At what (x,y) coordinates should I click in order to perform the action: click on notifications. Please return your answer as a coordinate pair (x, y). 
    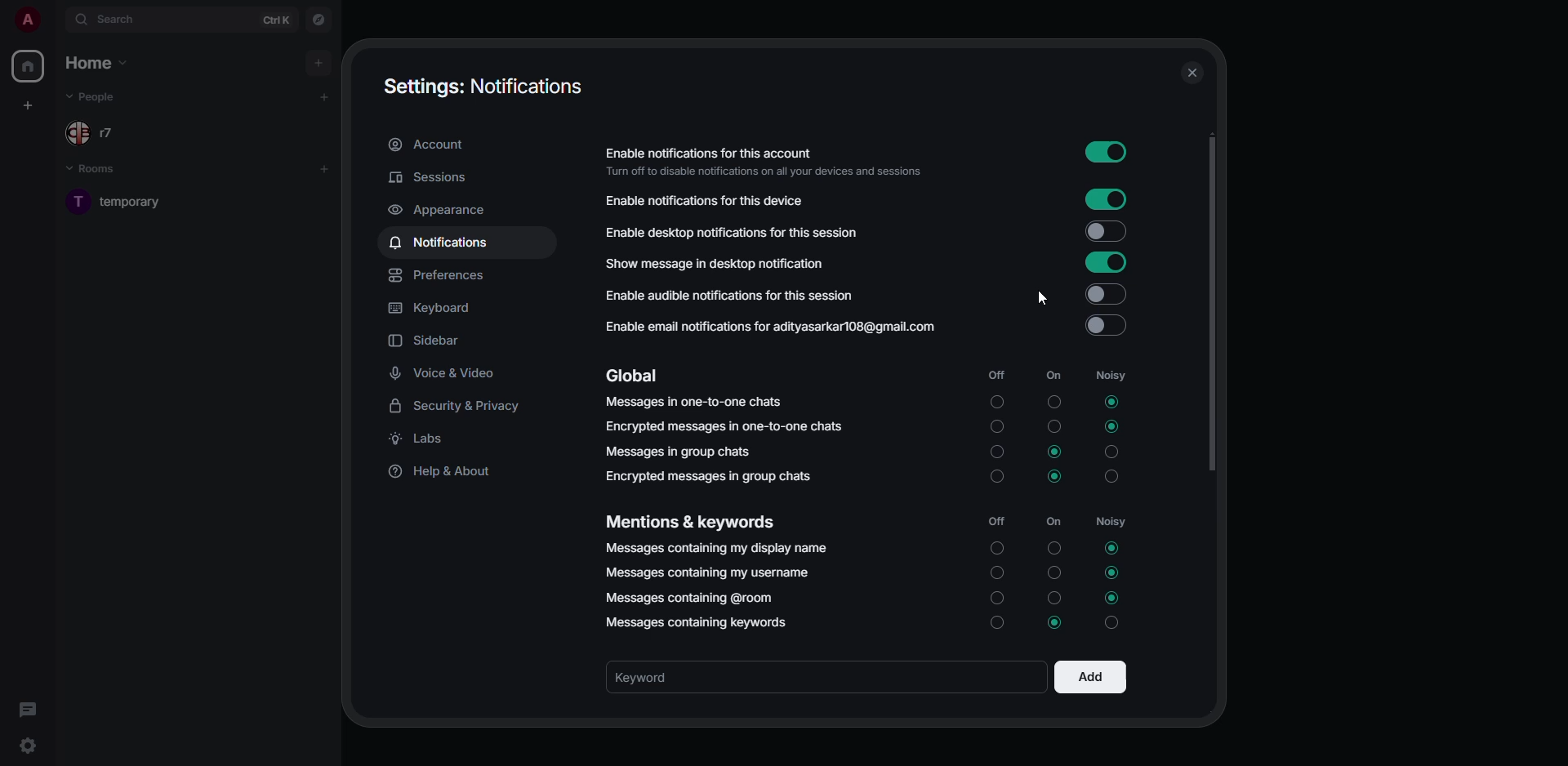
    Looking at the image, I should click on (442, 241).